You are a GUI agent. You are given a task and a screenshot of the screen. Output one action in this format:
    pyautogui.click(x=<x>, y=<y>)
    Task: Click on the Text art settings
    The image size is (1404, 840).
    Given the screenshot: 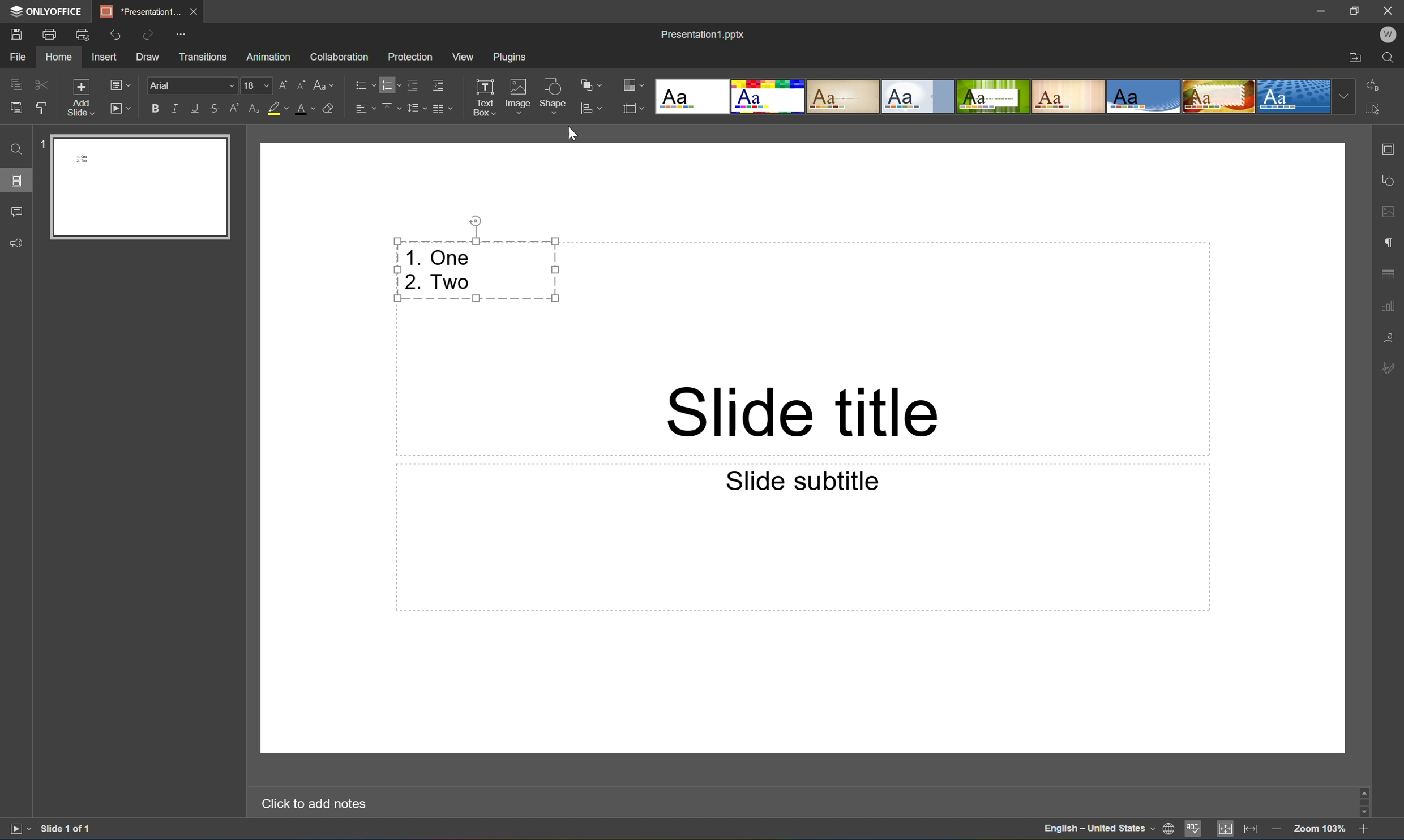 What is the action you would take?
    pyautogui.click(x=1390, y=336)
    